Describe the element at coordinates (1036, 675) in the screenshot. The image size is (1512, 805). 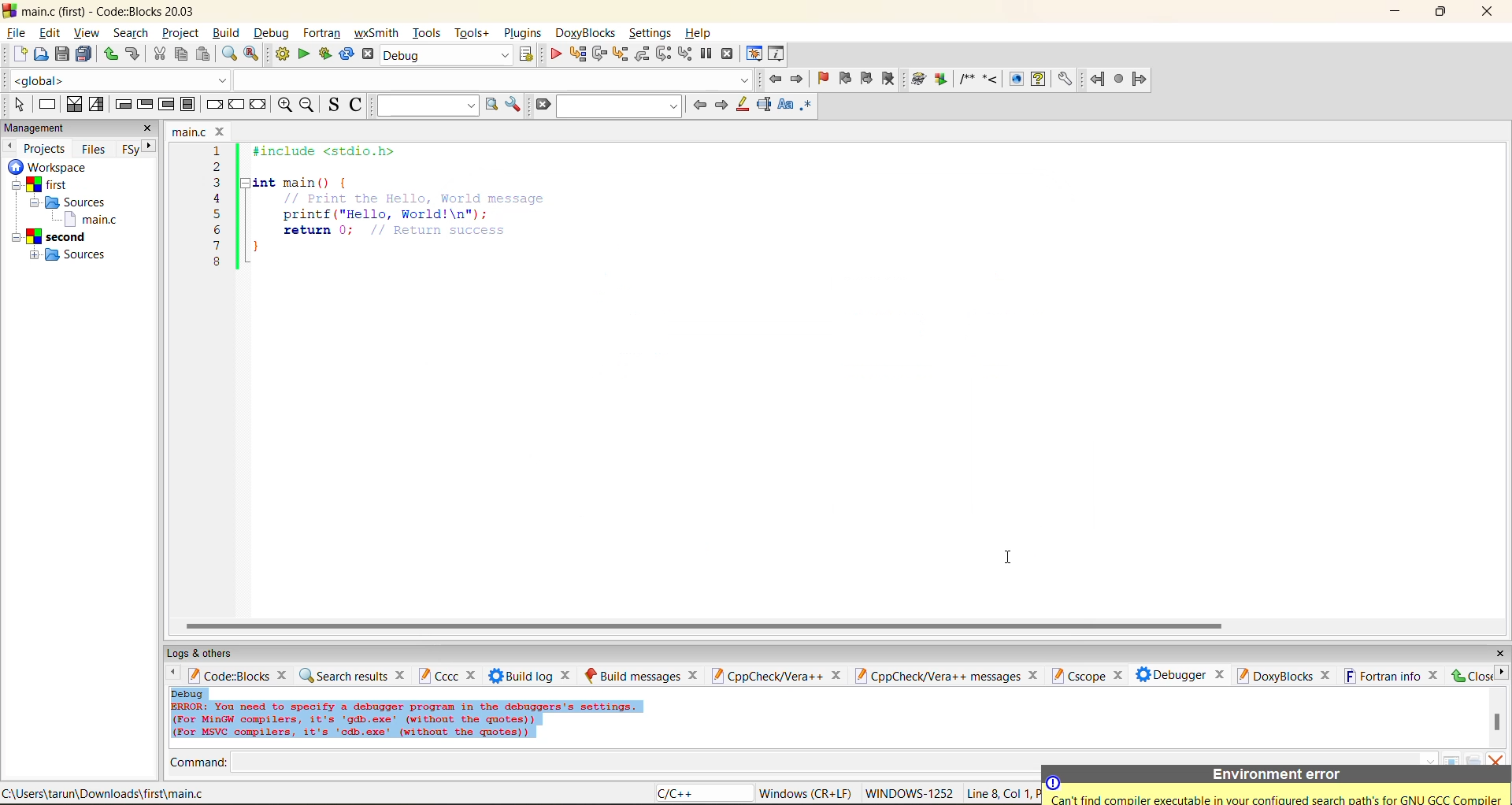
I see `close` at that location.